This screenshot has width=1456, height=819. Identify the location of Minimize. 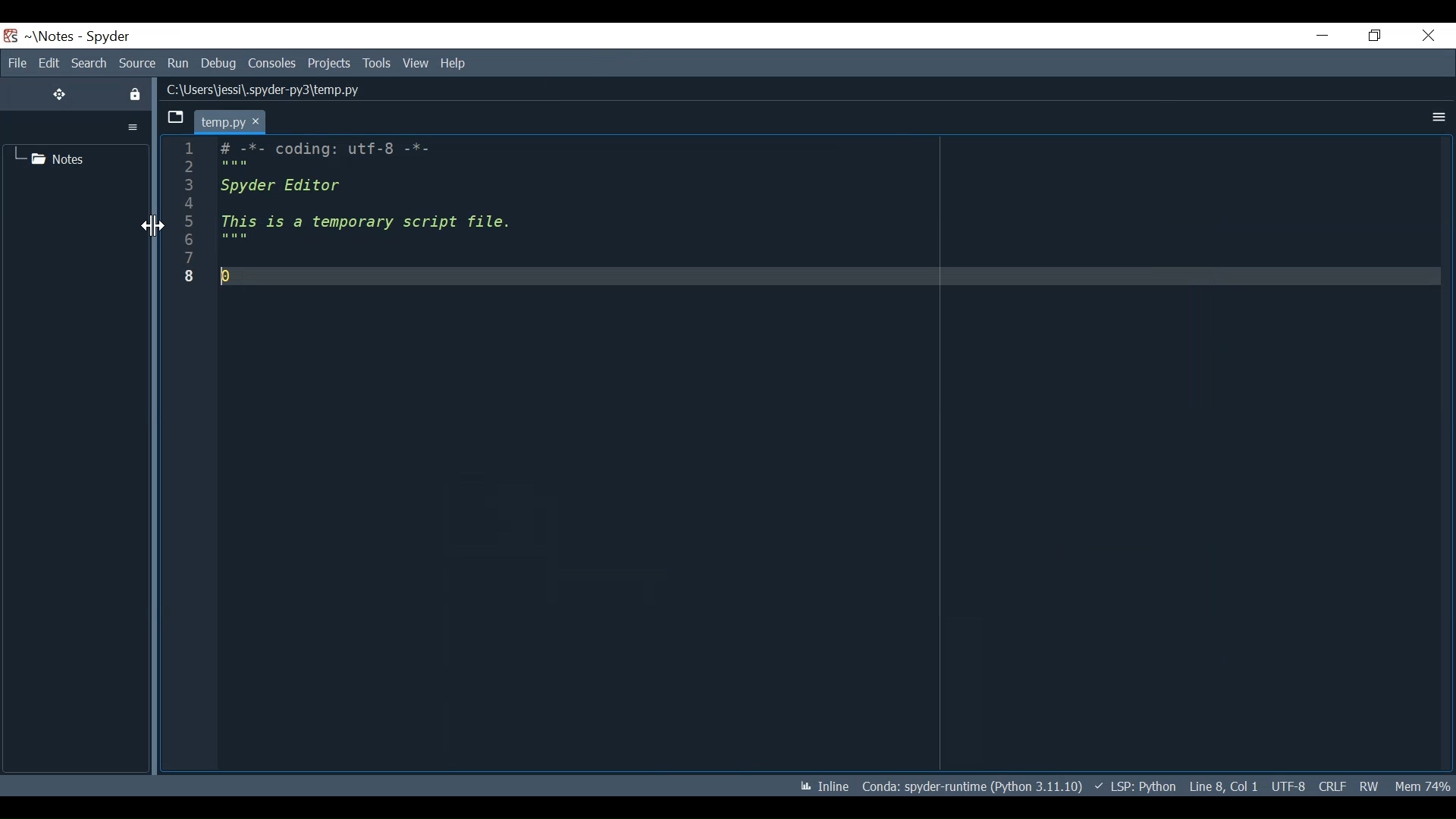
(1323, 35).